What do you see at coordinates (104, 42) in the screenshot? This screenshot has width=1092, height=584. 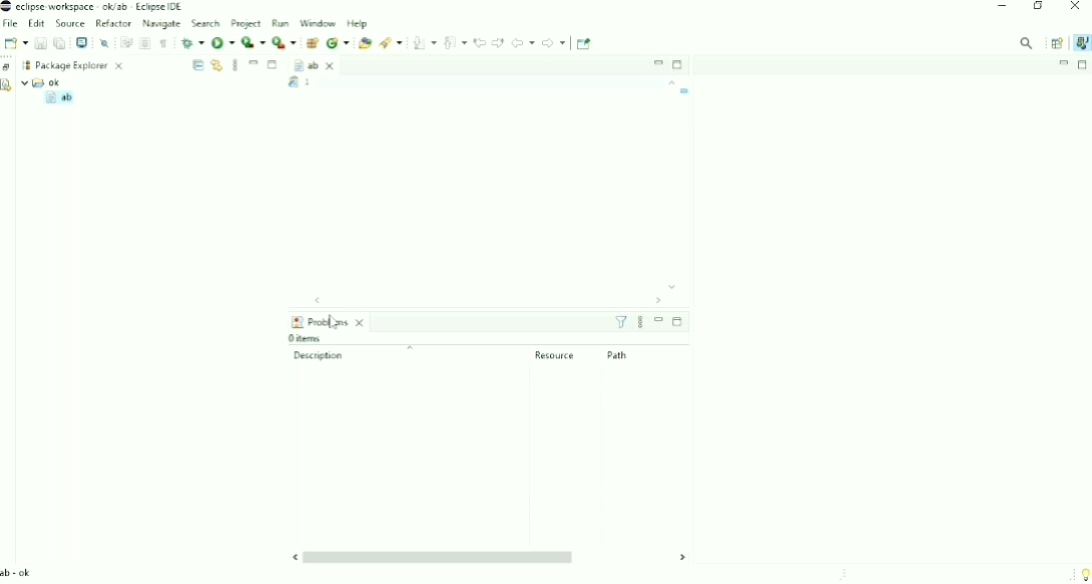 I see `Skip All Breakpoints` at bounding box center [104, 42].